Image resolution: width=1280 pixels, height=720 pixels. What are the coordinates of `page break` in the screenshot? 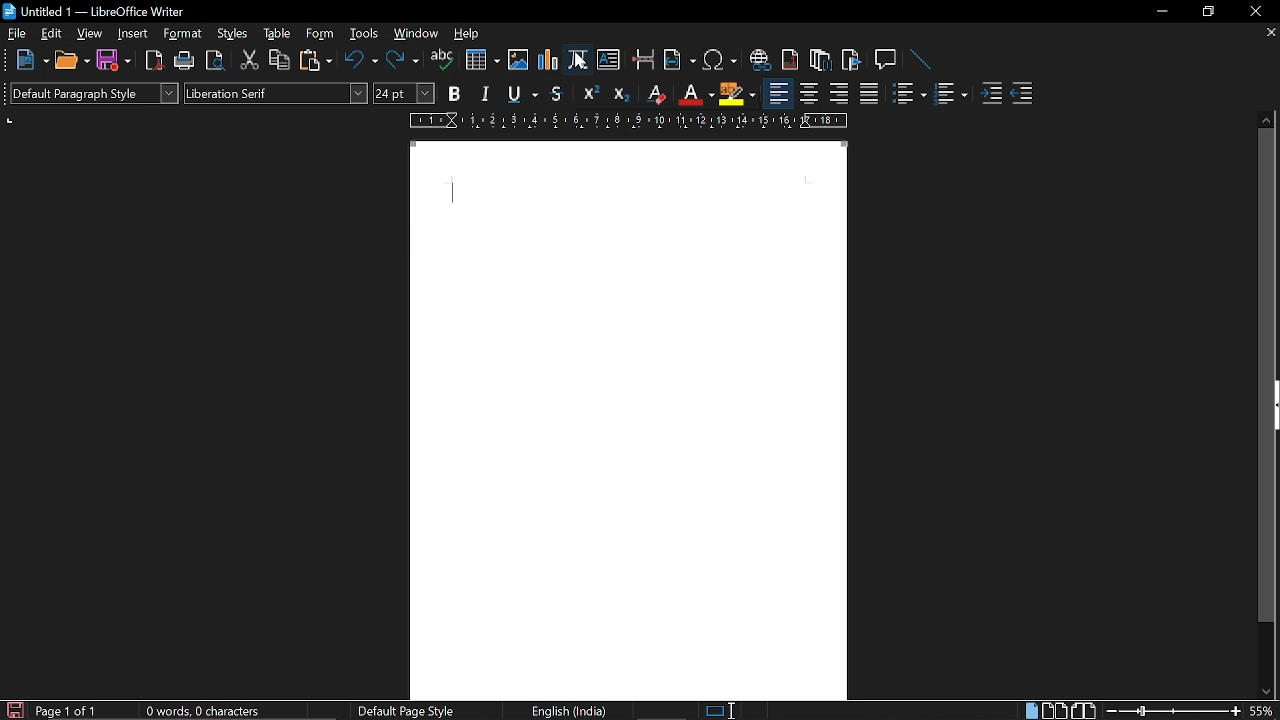 It's located at (645, 60).